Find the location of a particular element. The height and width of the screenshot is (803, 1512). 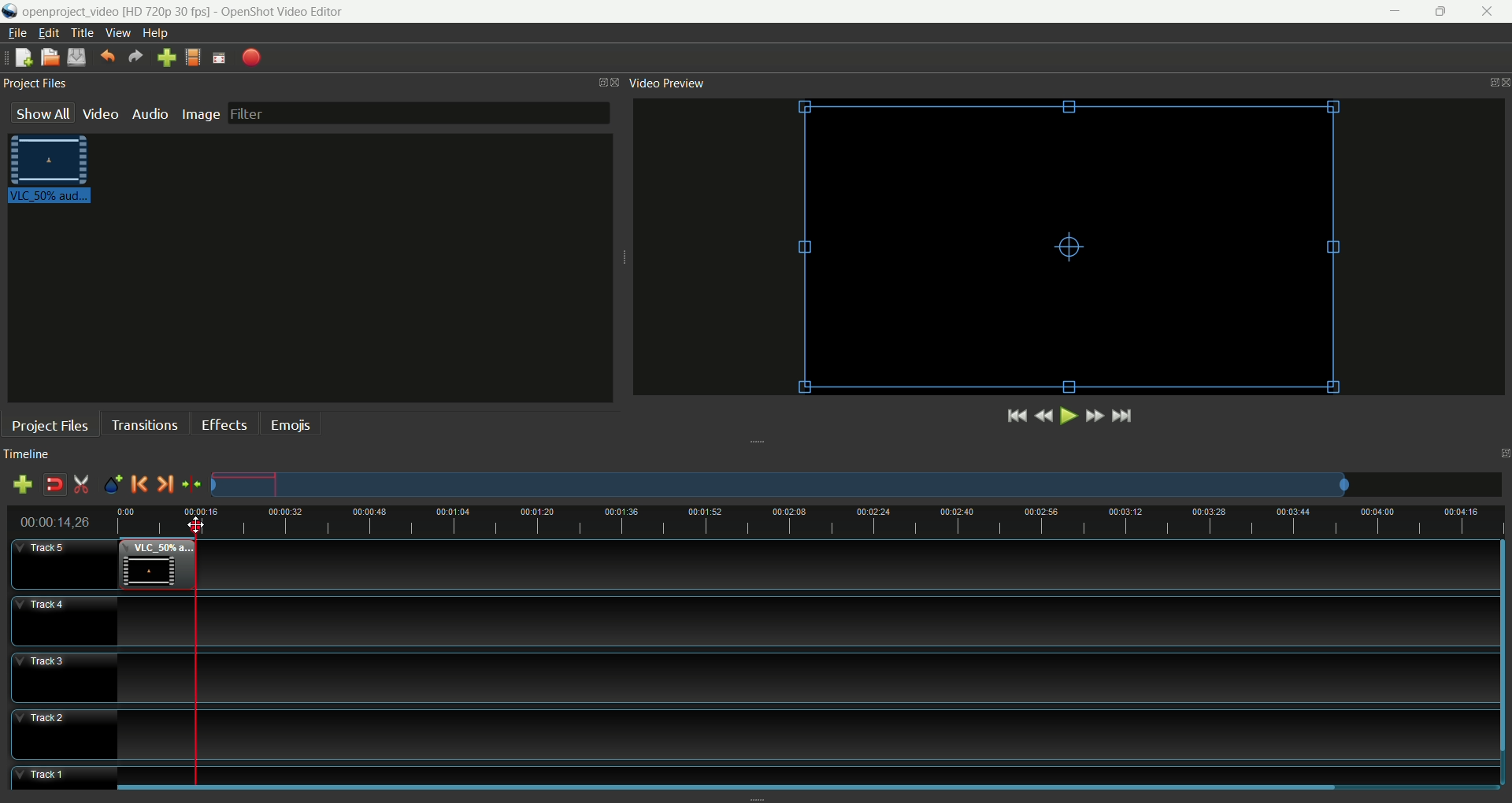

time is located at coordinates (62, 522).